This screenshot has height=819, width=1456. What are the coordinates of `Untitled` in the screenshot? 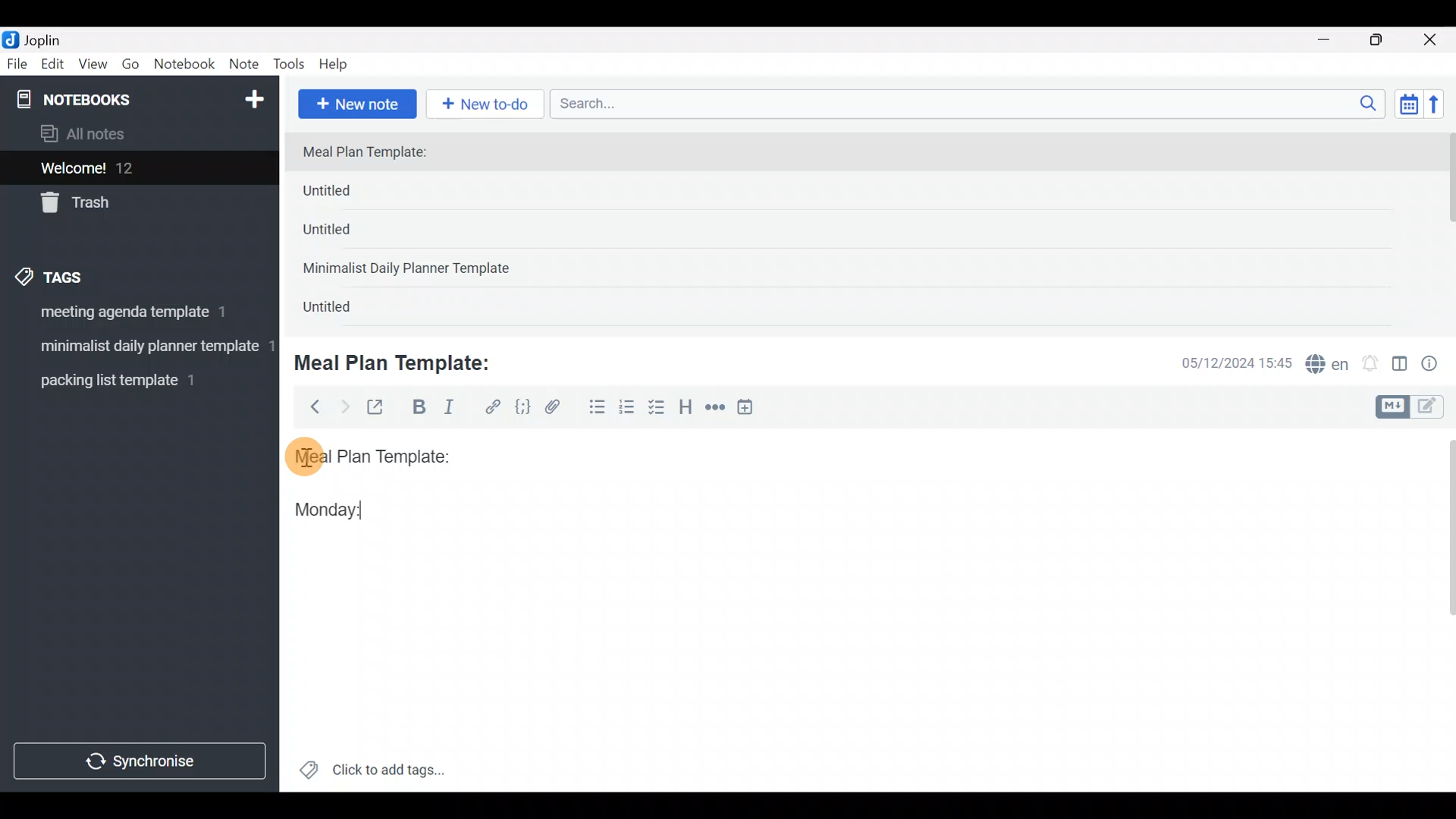 It's located at (347, 234).